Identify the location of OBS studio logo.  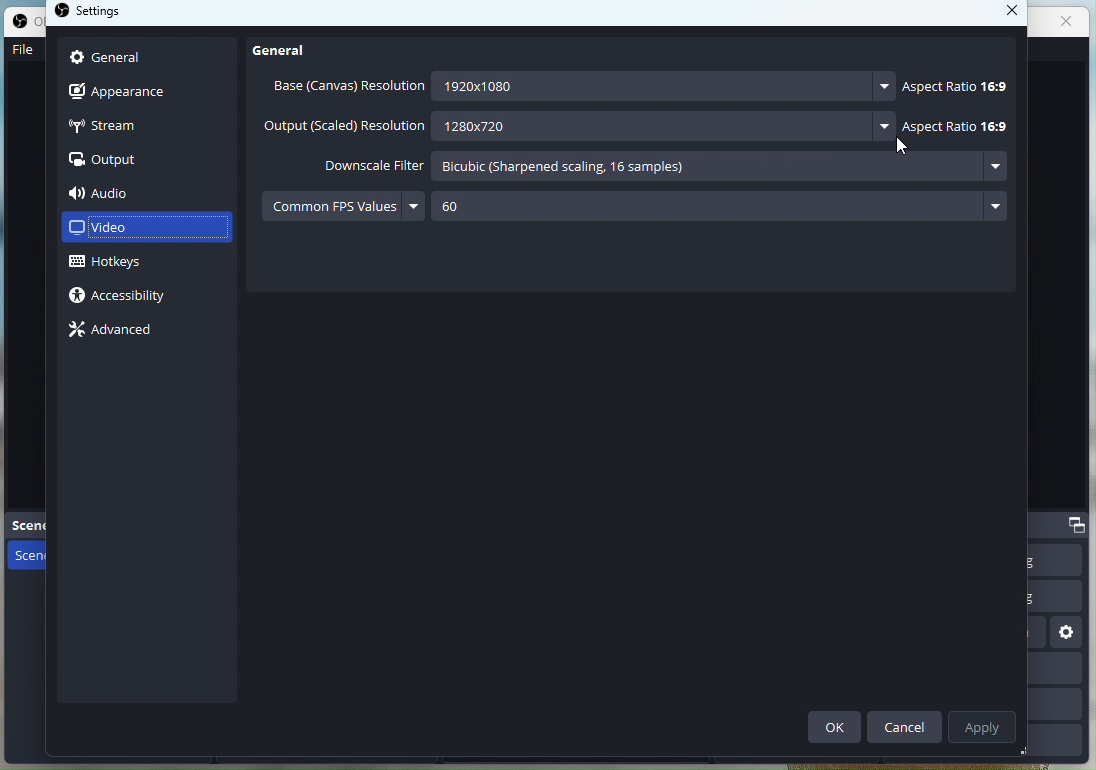
(63, 13).